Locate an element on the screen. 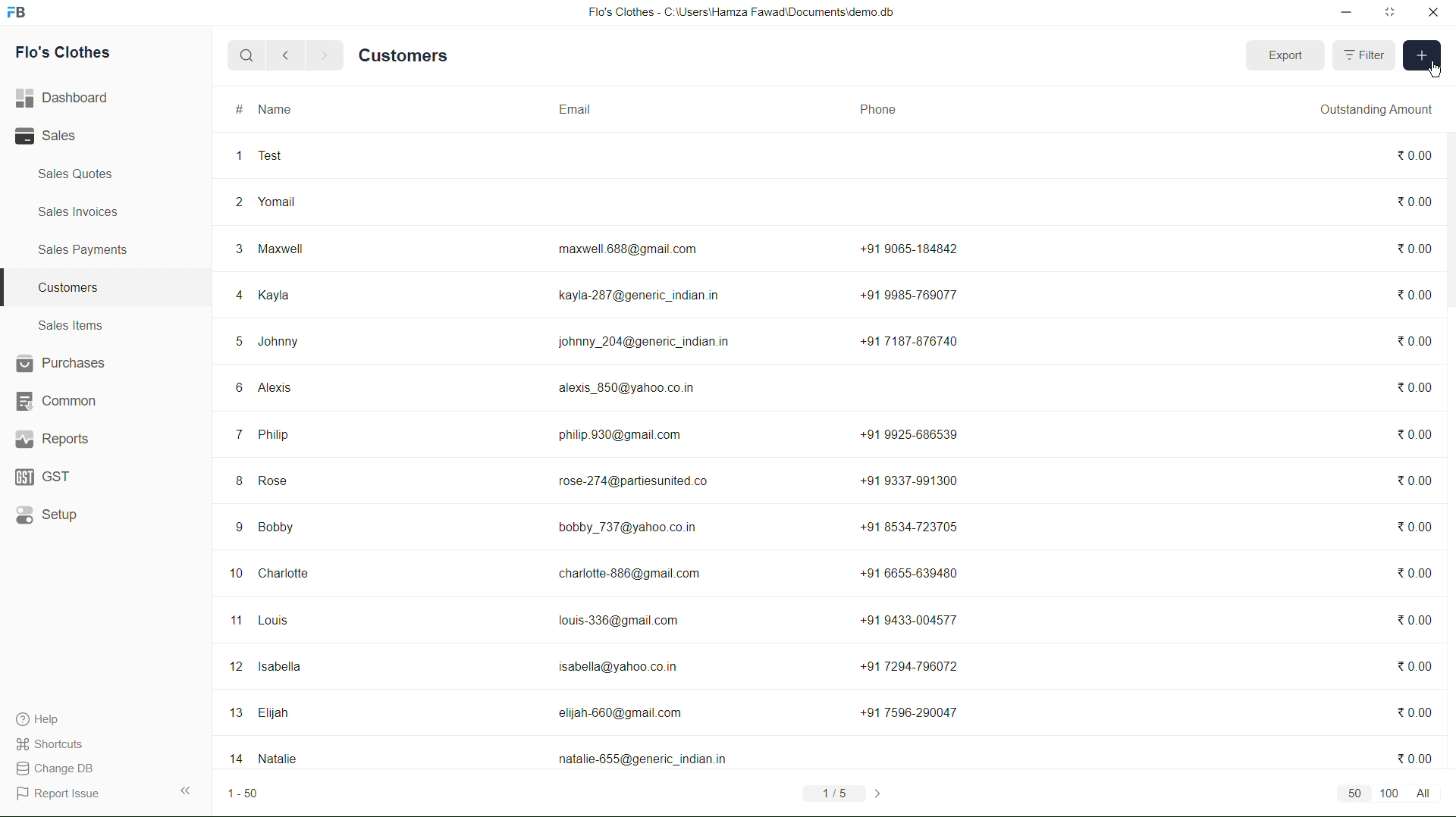  Report Issue is located at coordinates (58, 794).